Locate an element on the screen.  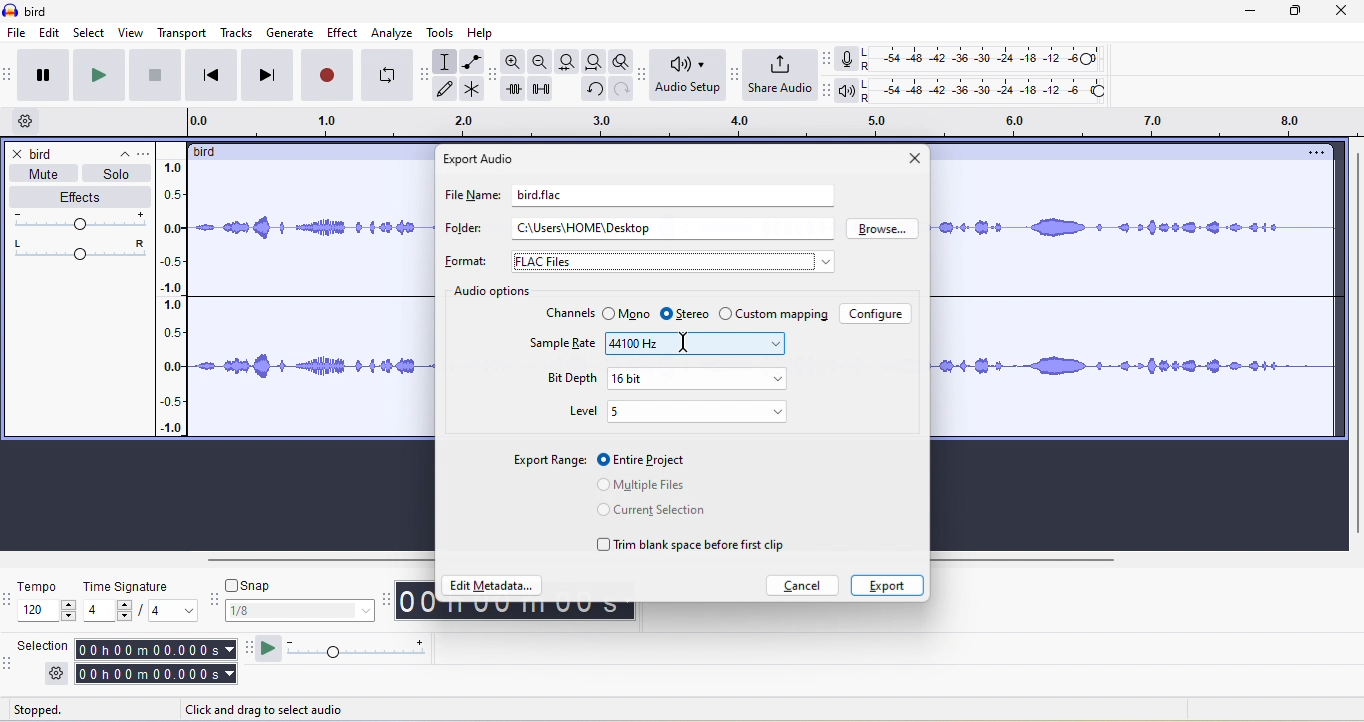
cursor movement is located at coordinates (683, 343).